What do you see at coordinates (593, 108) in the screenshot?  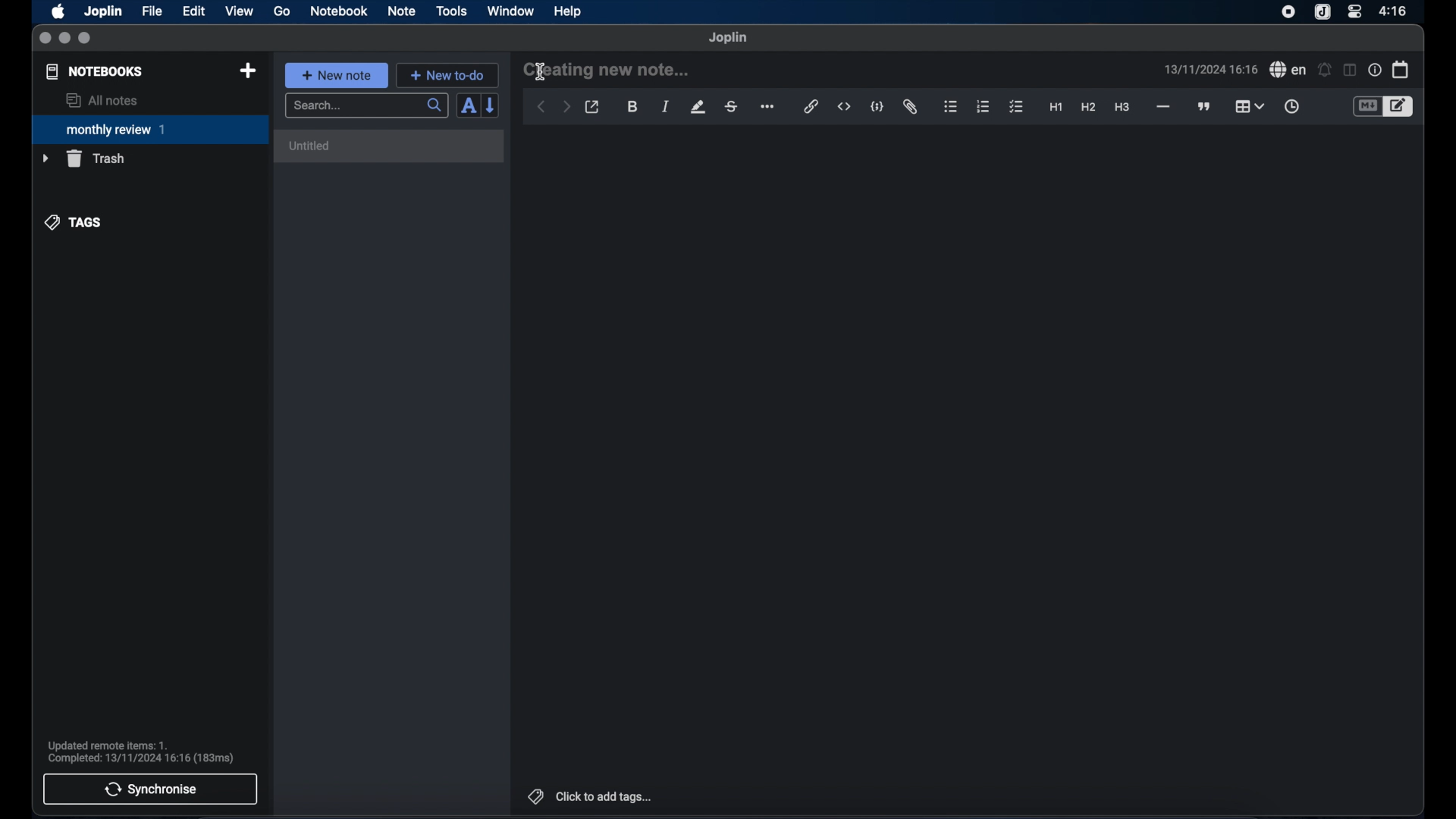 I see `open in external editor` at bounding box center [593, 108].